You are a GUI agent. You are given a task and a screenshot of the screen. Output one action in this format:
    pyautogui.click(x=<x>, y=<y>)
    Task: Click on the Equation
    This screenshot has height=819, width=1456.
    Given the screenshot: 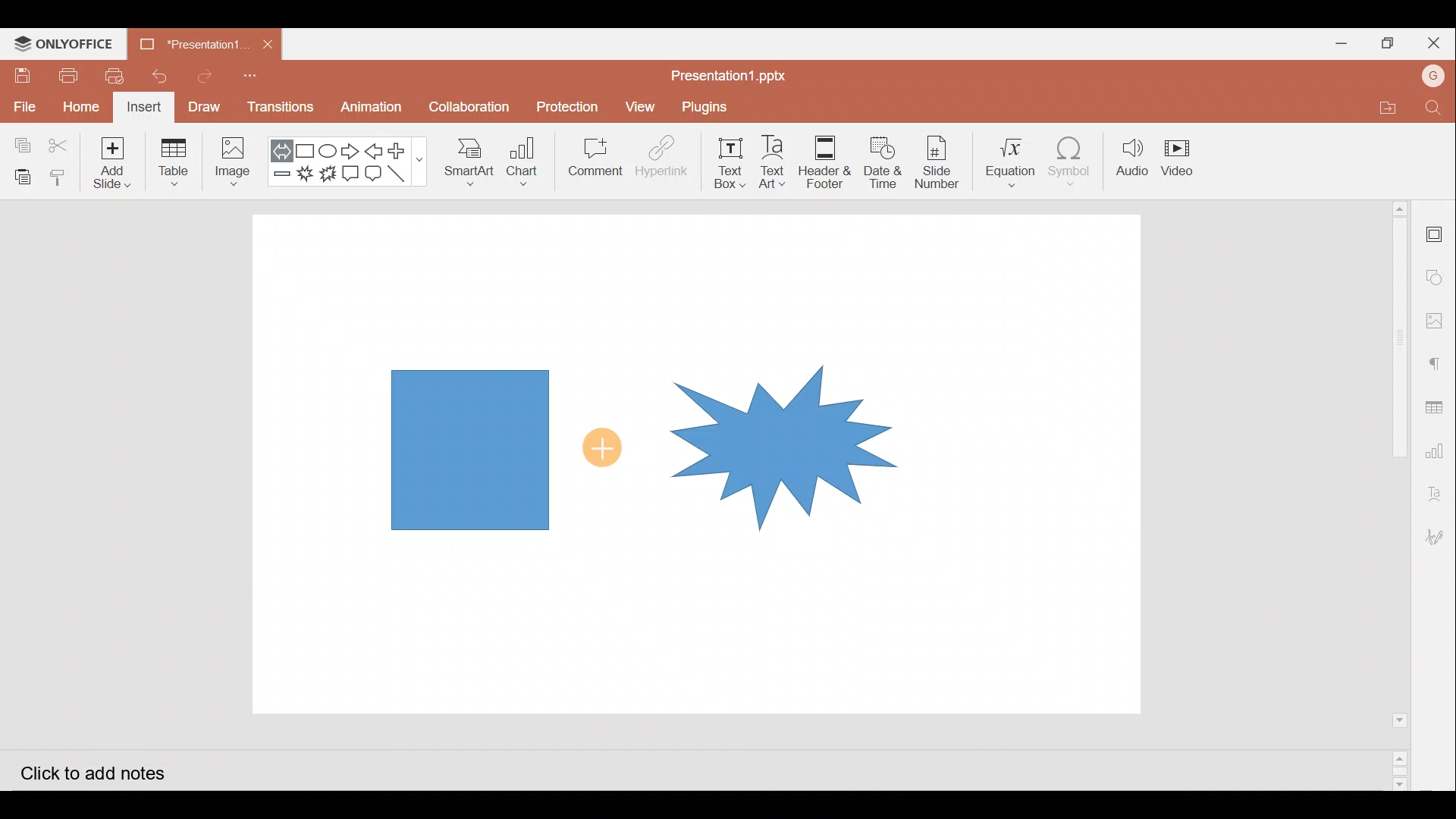 What is the action you would take?
    pyautogui.click(x=1006, y=160)
    